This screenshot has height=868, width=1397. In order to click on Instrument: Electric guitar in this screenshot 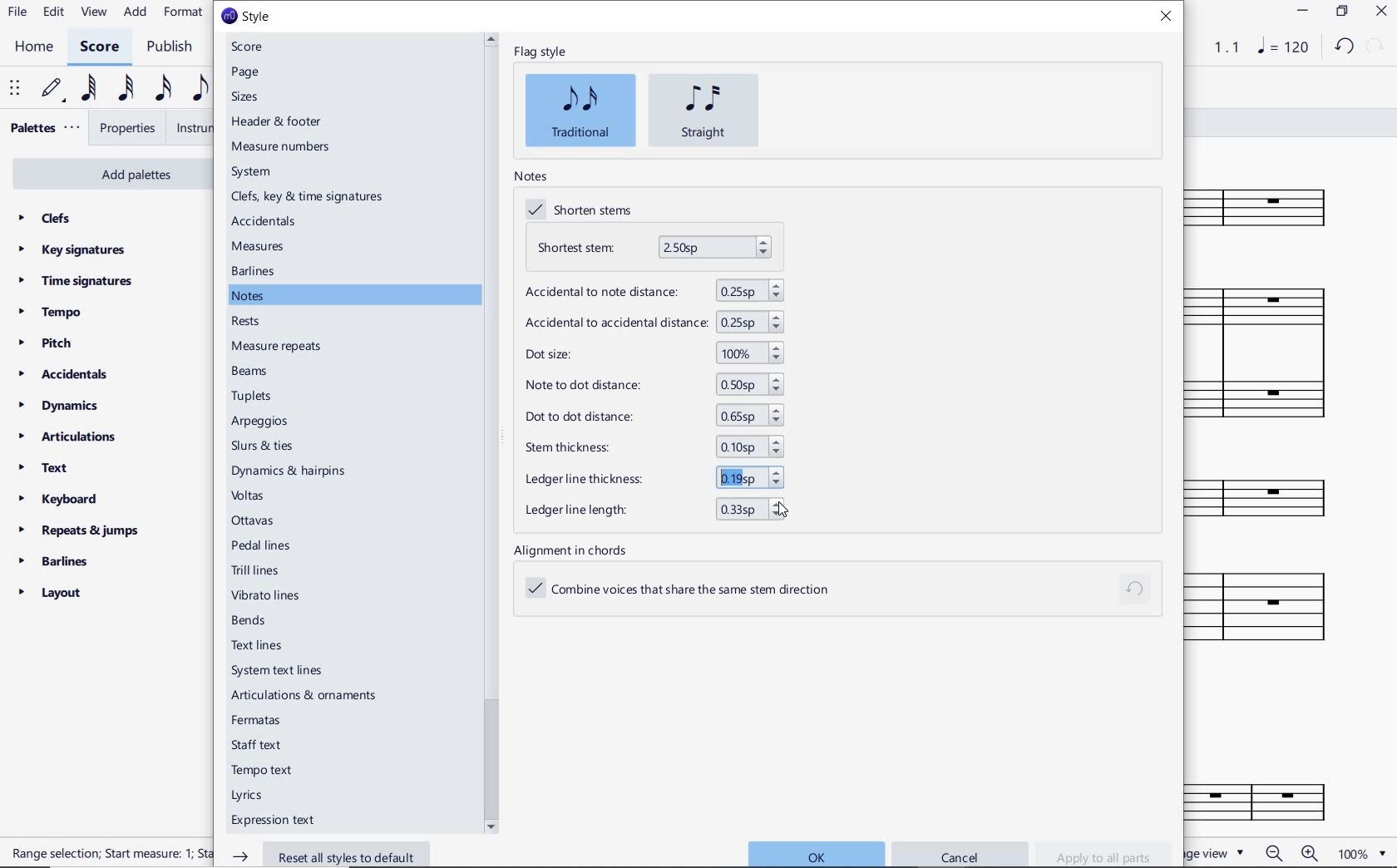, I will do `click(1276, 606)`.